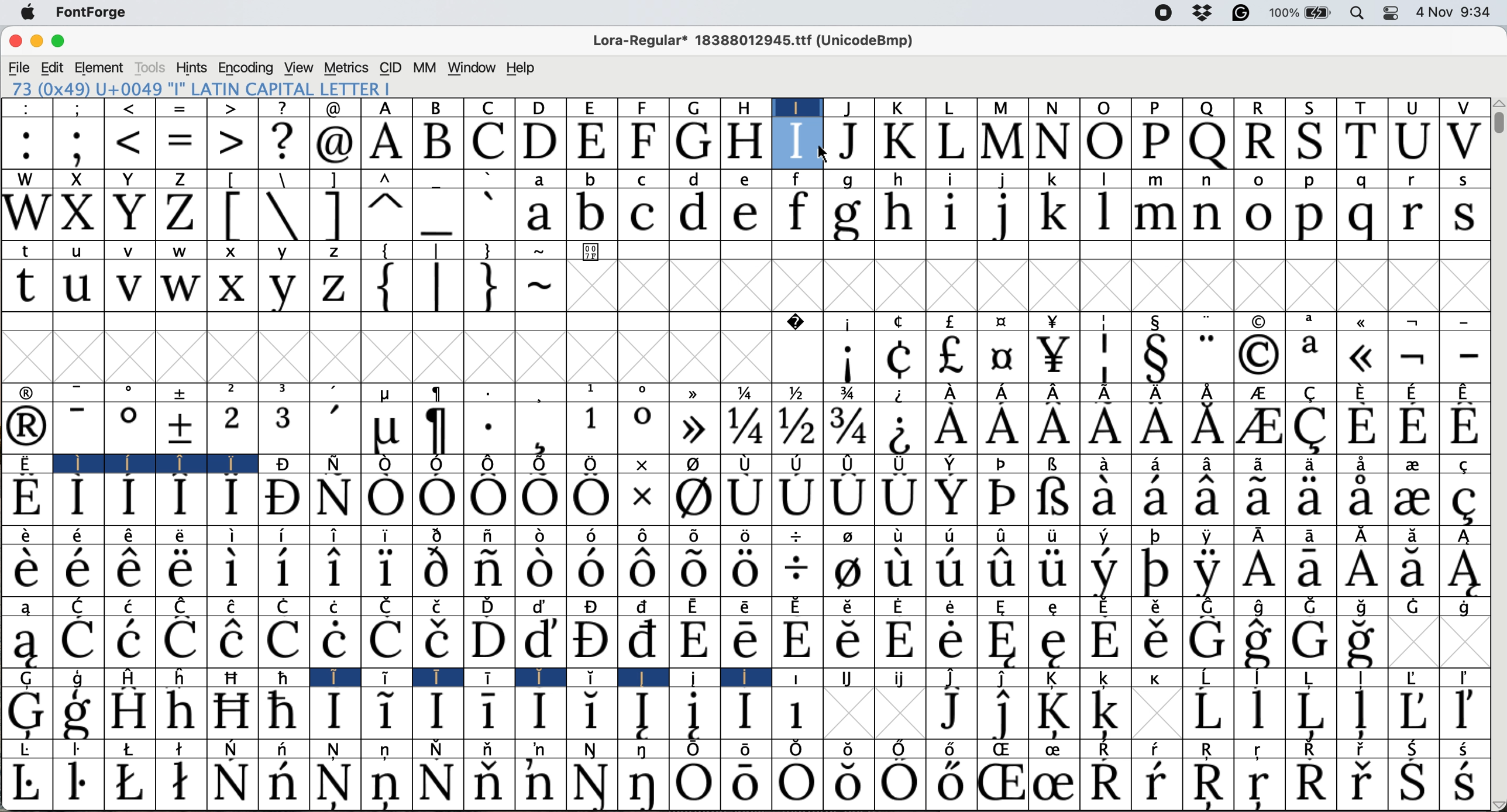 This screenshot has width=1507, height=812. Describe the element at coordinates (1456, 12) in the screenshot. I see `4 Nov 9:34` at that location.